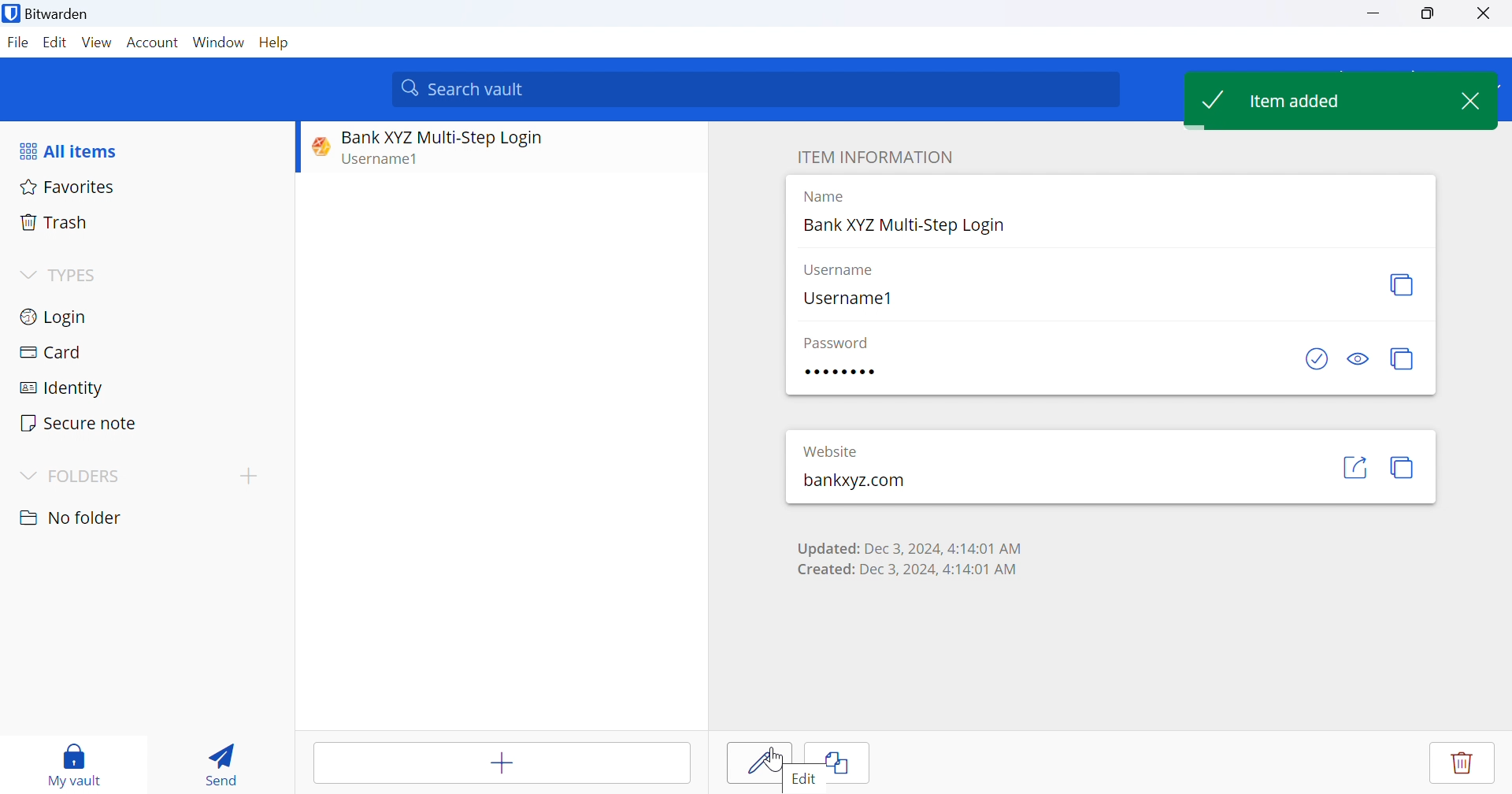  What do you see at coordinates (1404, 359) in the screenshot?
I see `Copy Password` at bounding box center [1404, 359].